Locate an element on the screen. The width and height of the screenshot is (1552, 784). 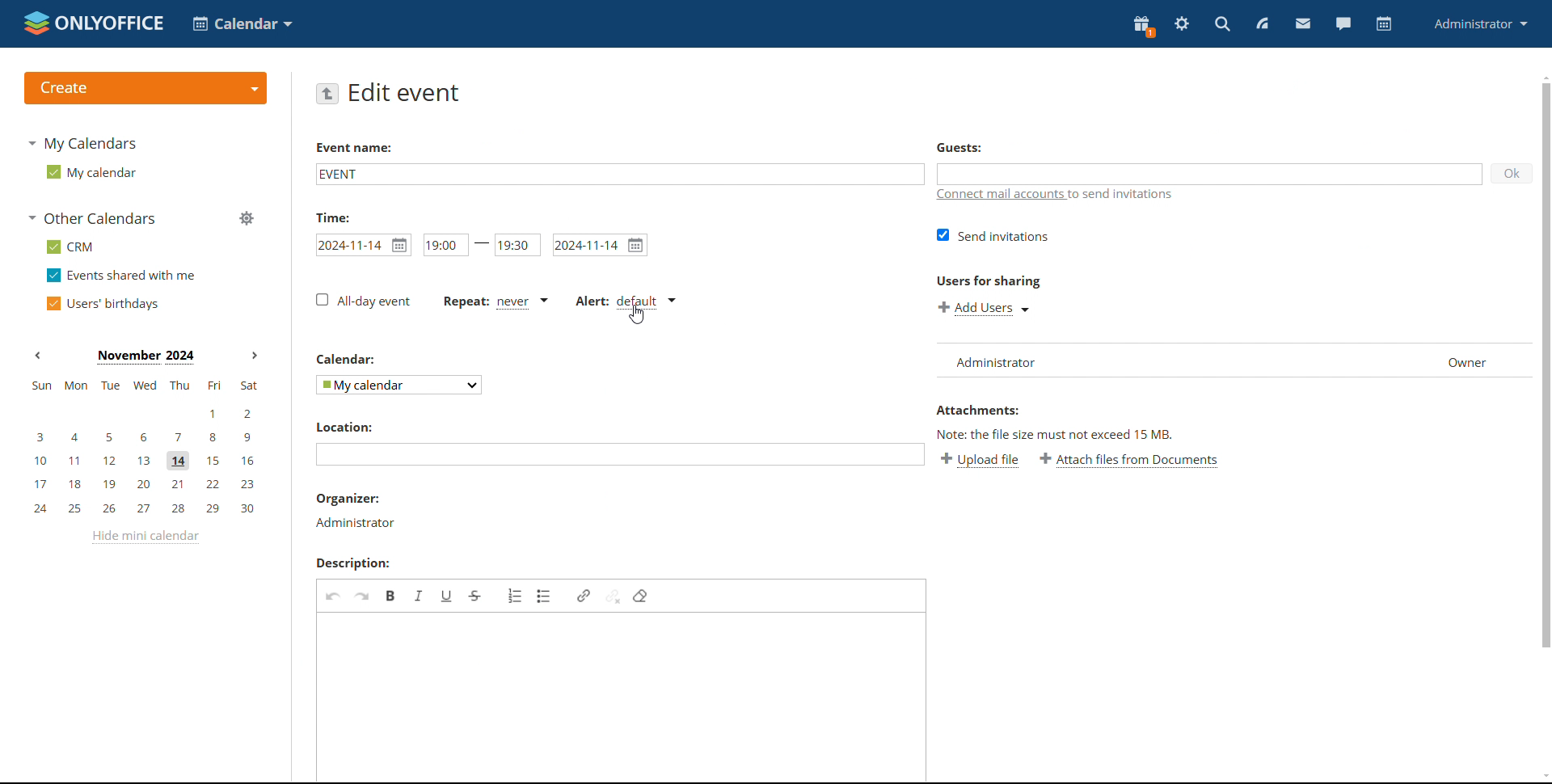
note is located at coordinates (1076, 434).